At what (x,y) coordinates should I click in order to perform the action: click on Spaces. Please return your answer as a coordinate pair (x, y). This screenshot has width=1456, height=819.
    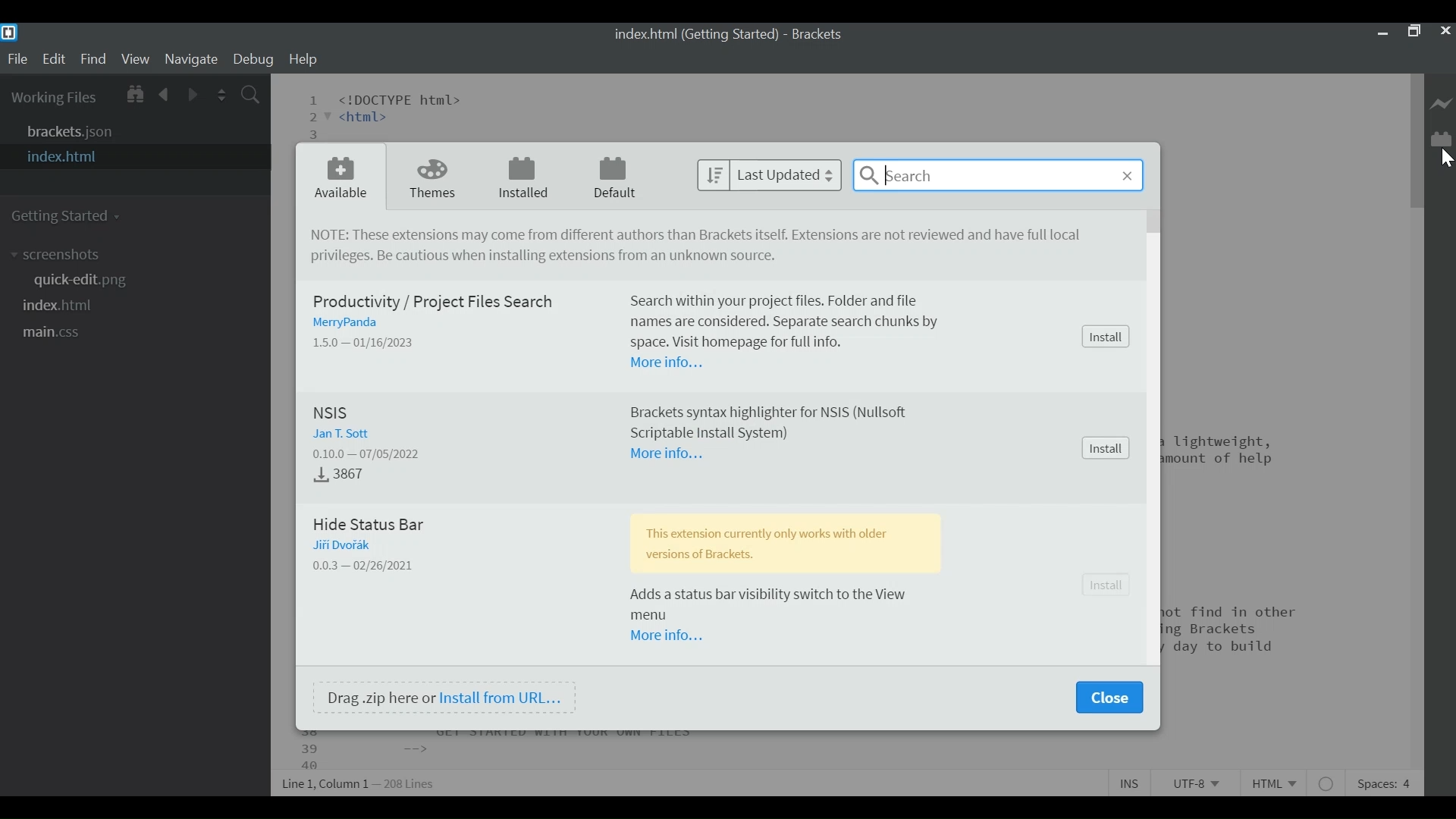
    Looking at the image, I should click on (1385, 782).